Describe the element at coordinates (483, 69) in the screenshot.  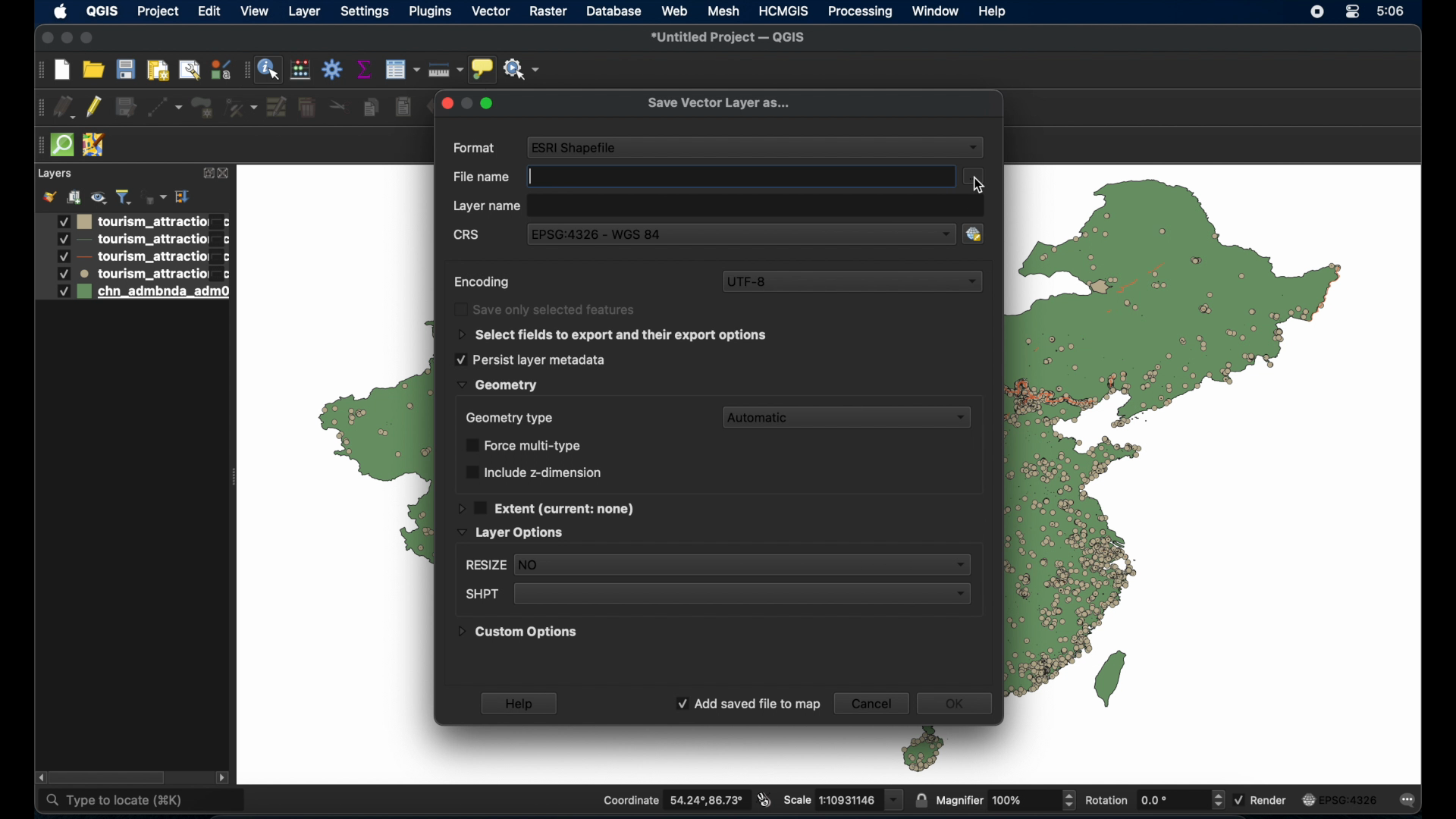
I see `show map tips` at that location.